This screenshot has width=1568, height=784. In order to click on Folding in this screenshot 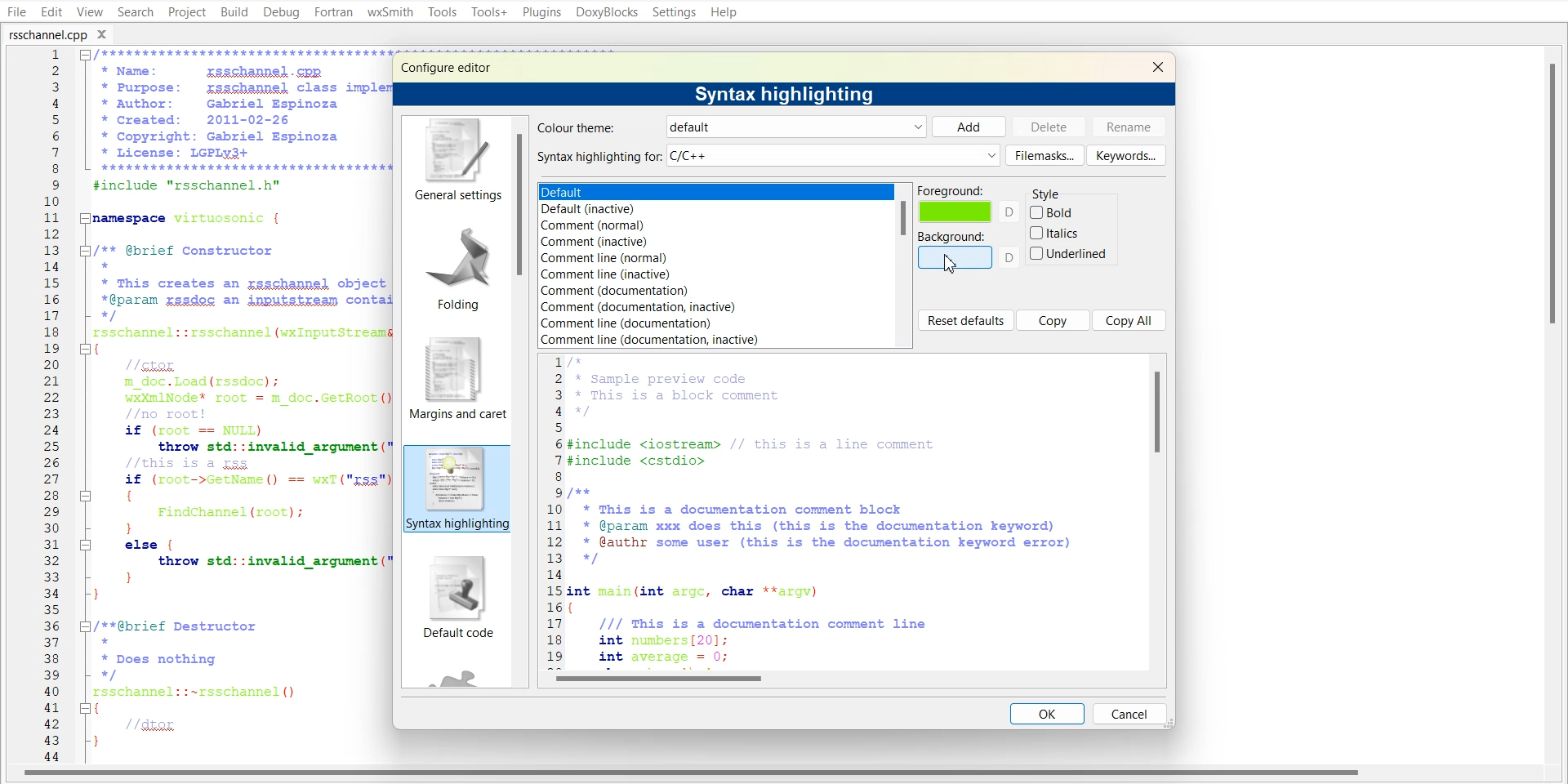, I will do `click(452, 264)`.